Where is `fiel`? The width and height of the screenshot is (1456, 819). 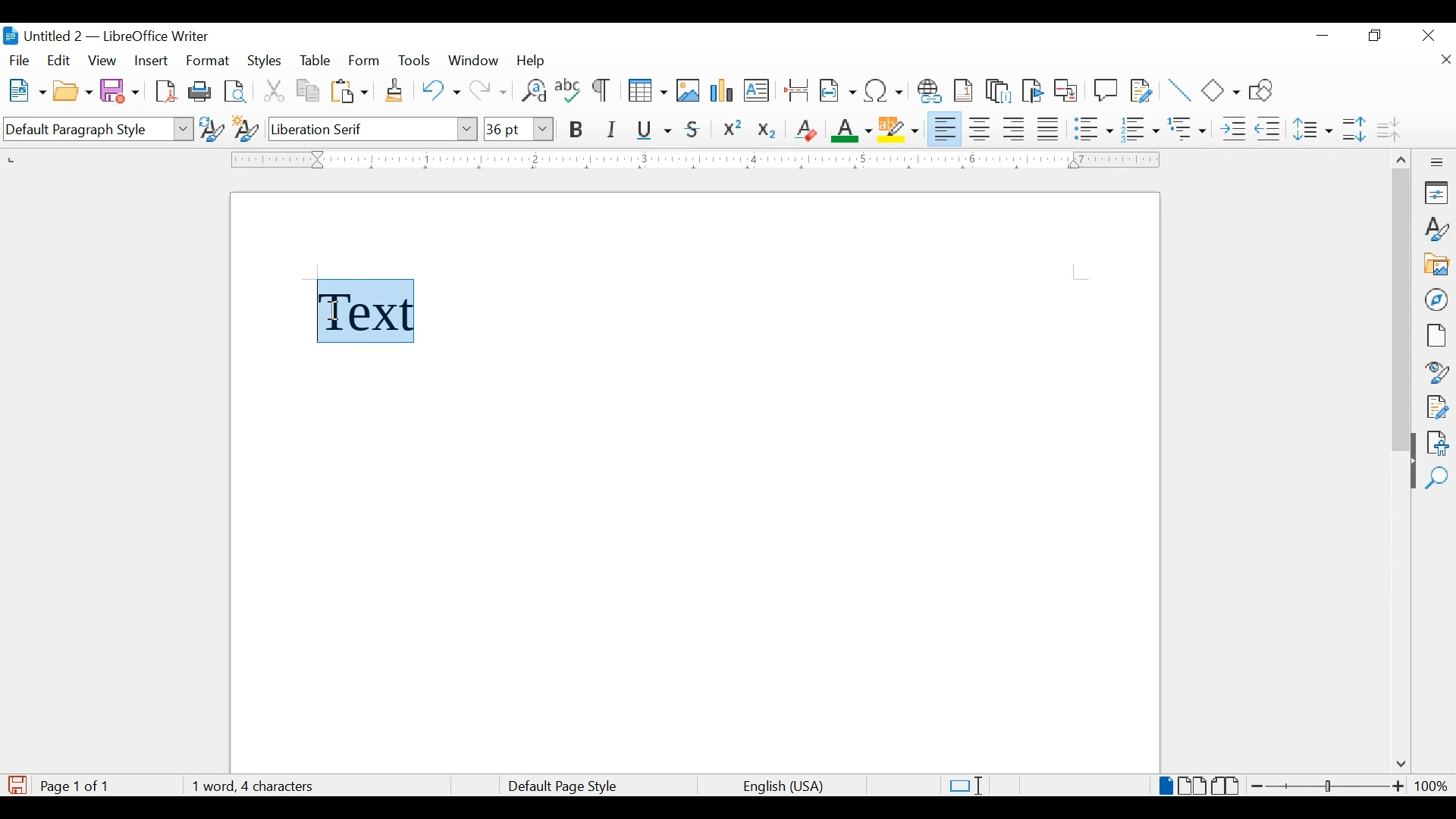
fiel is located at coordinates (20, 61).